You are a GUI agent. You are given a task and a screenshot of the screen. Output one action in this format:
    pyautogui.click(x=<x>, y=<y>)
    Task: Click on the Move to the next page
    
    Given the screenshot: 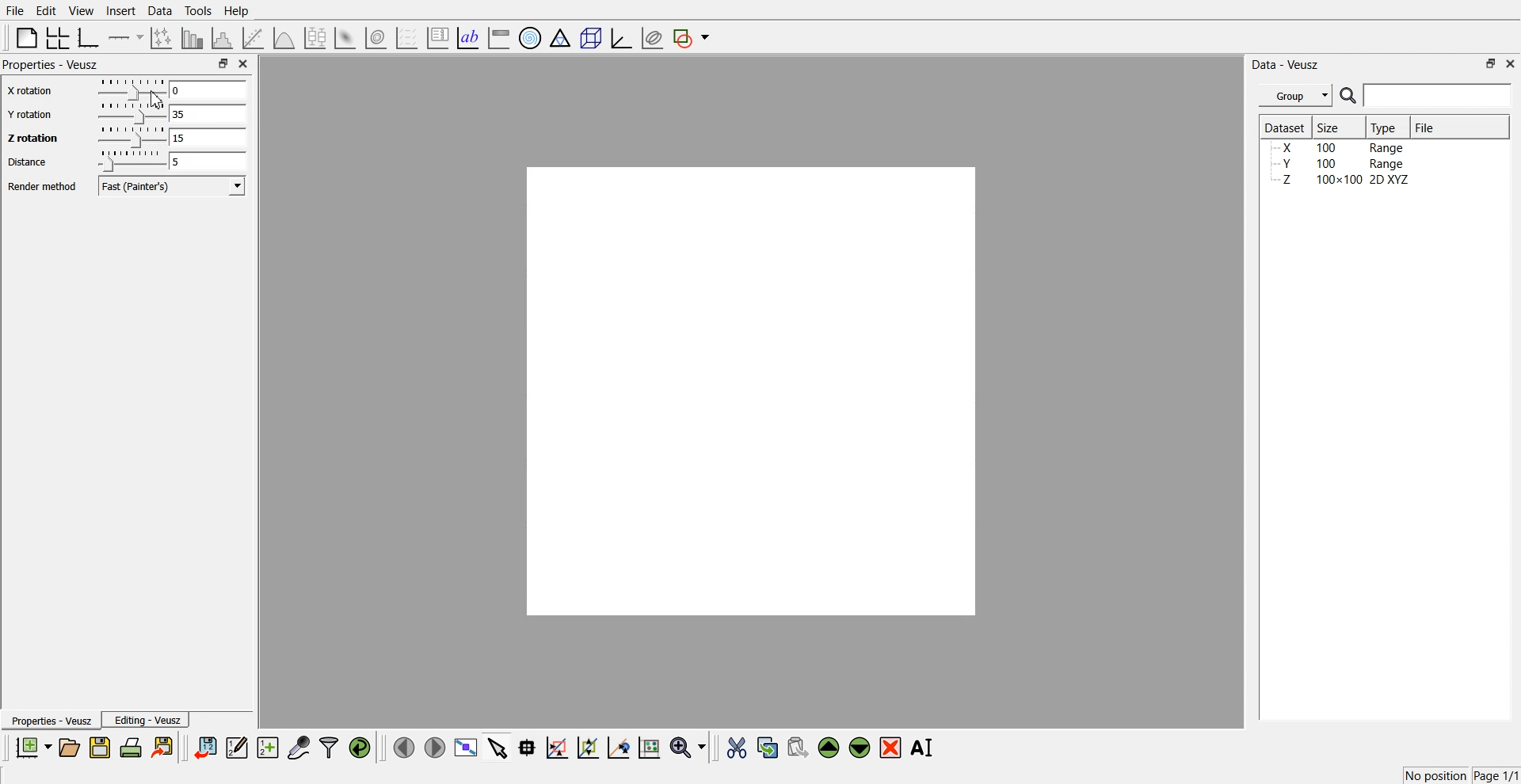 What is the action you would take?
    pyautogui.click(x=435, y=746)
    